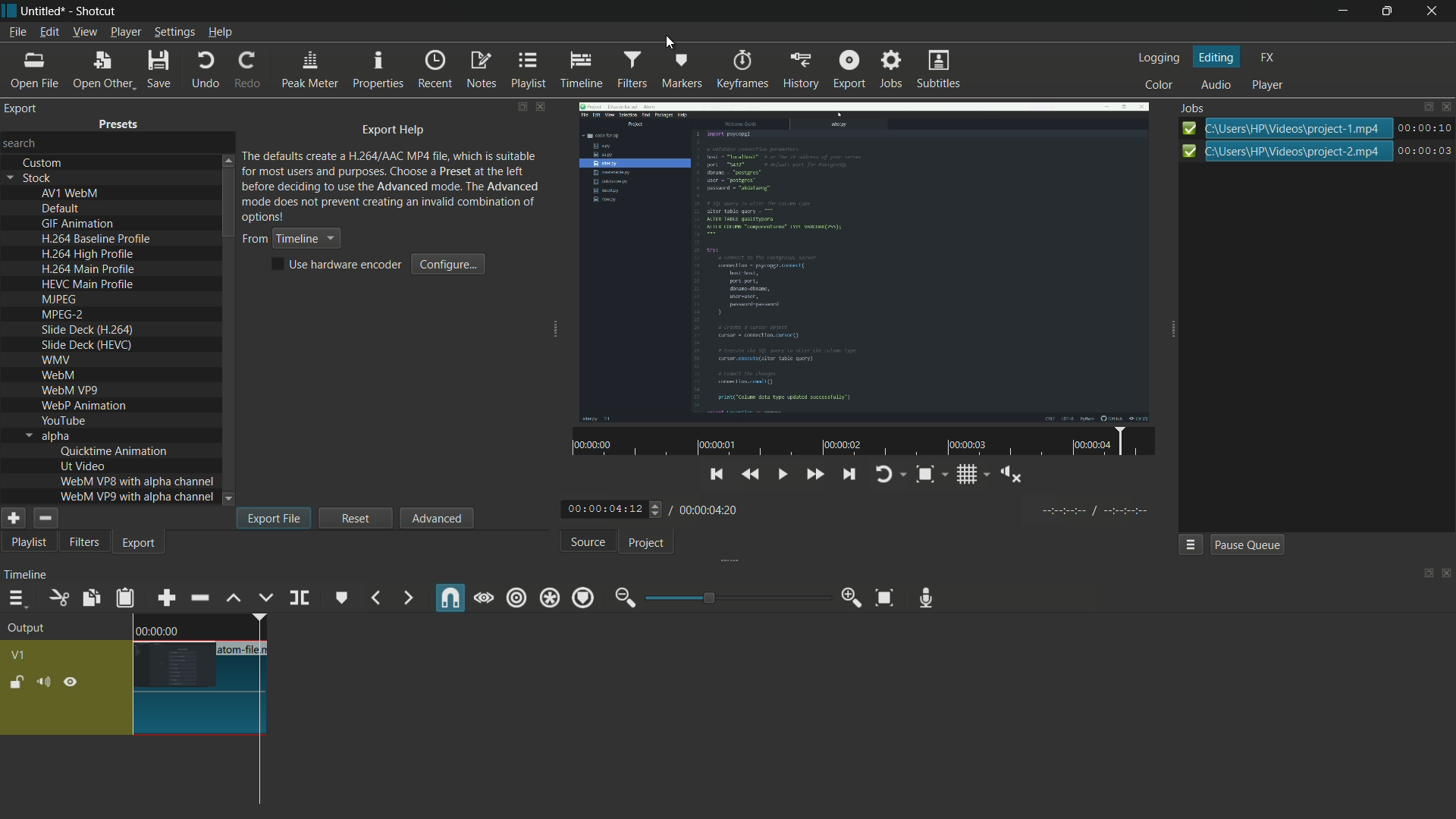  What do you see at coordinates (542, 106) in the screenshot?
I see `close filters` at bounding box center [542, 106].